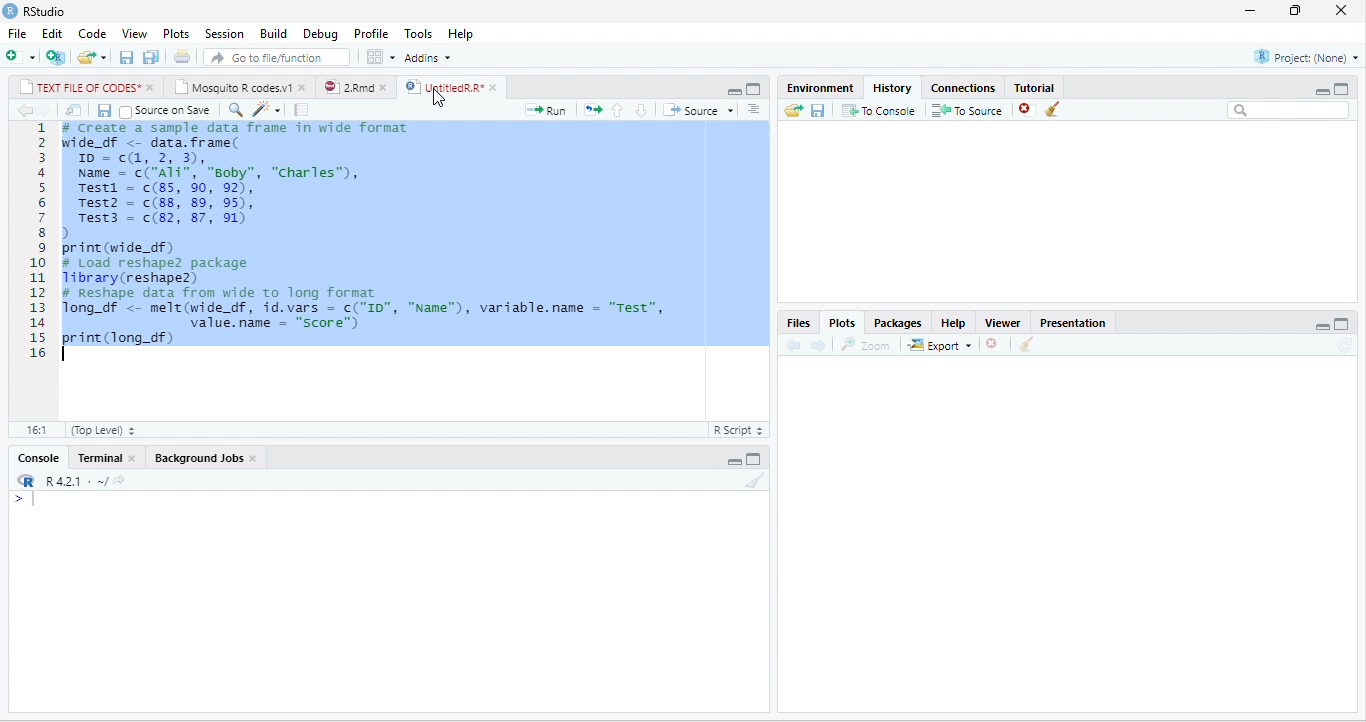  I want to click on forward, so click(44, 110).